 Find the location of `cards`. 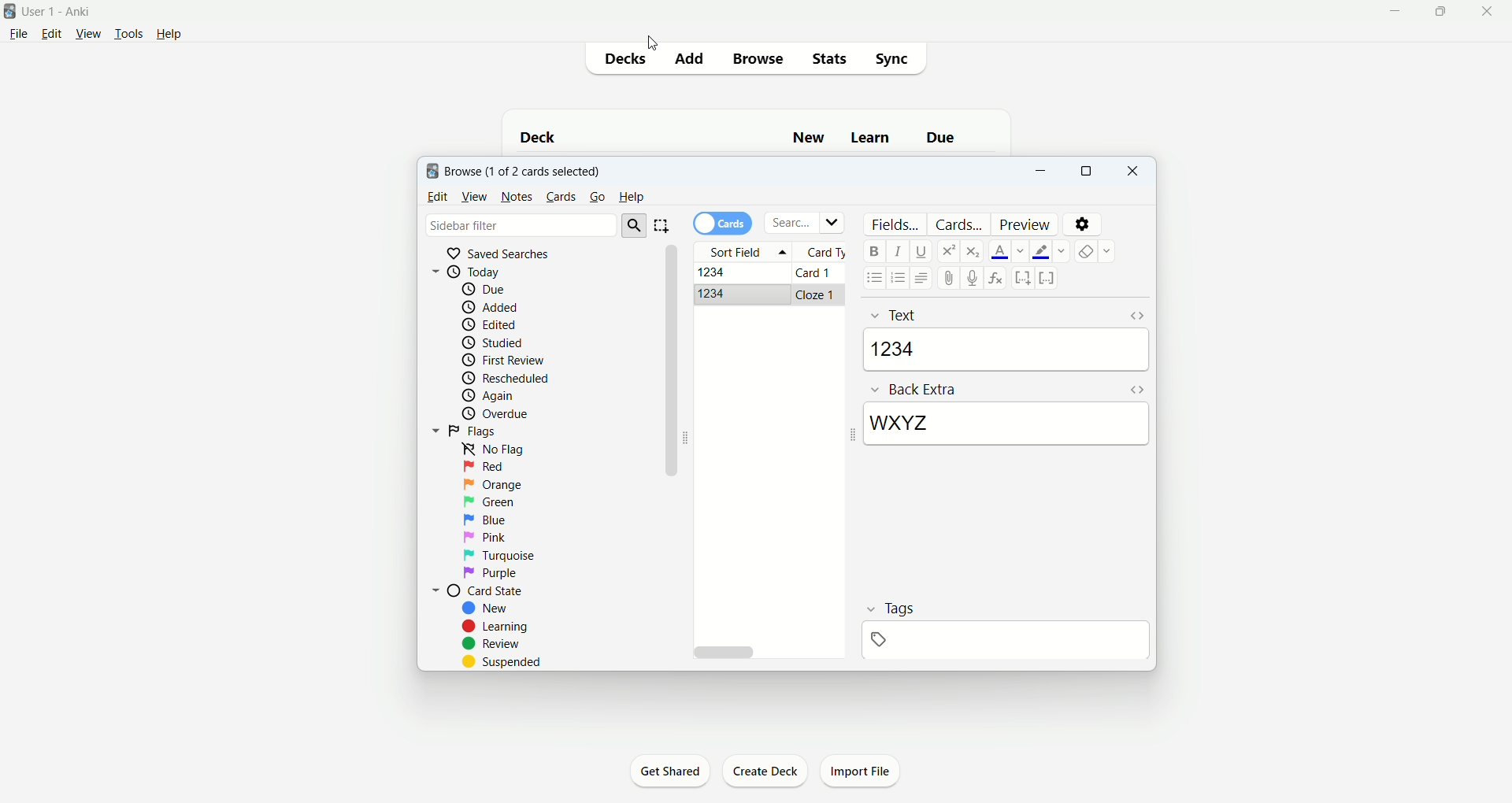

cards is located at coordinates (561, 197).